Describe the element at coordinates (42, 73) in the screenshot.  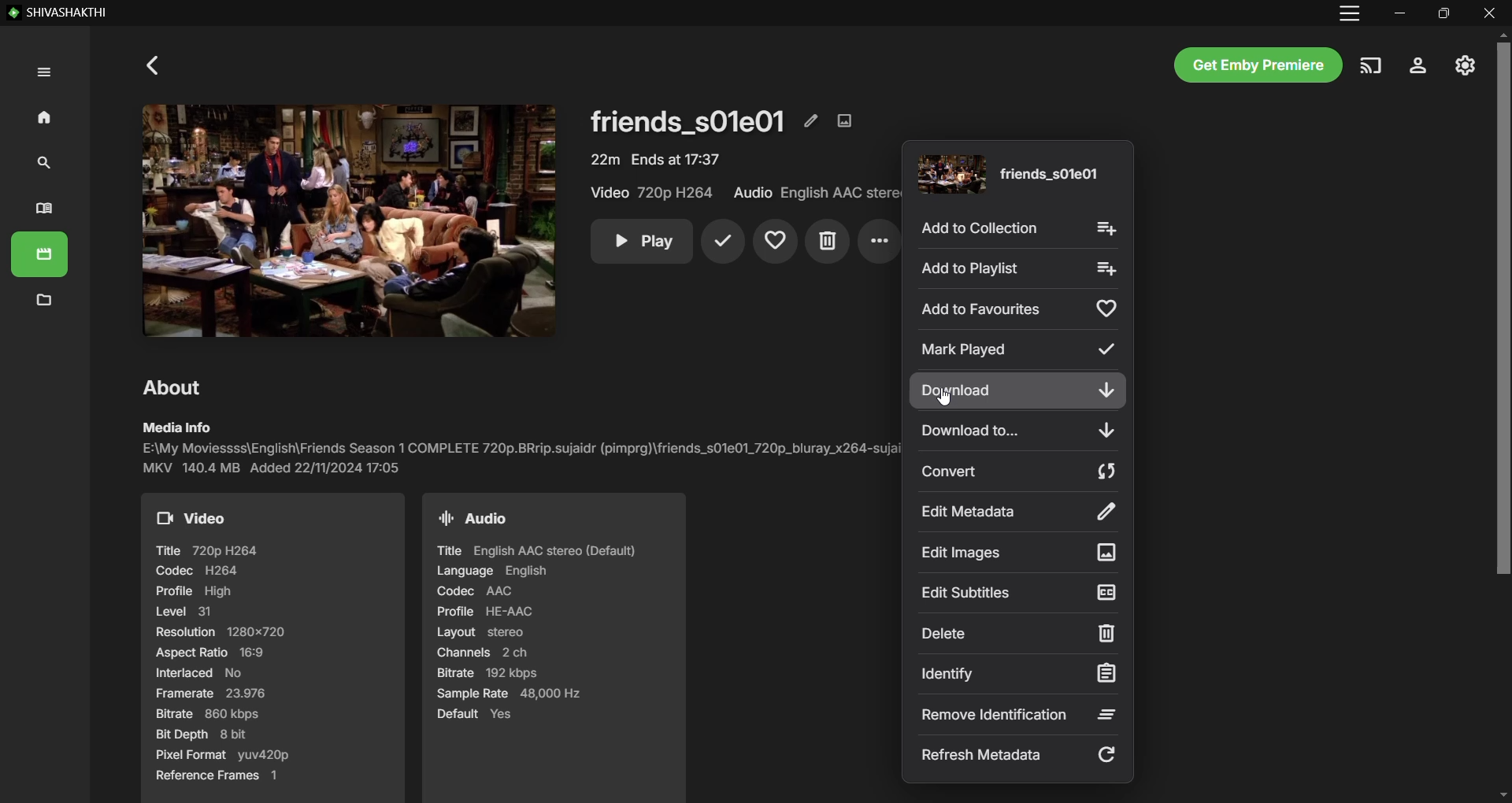
I see `Expand` at that location.